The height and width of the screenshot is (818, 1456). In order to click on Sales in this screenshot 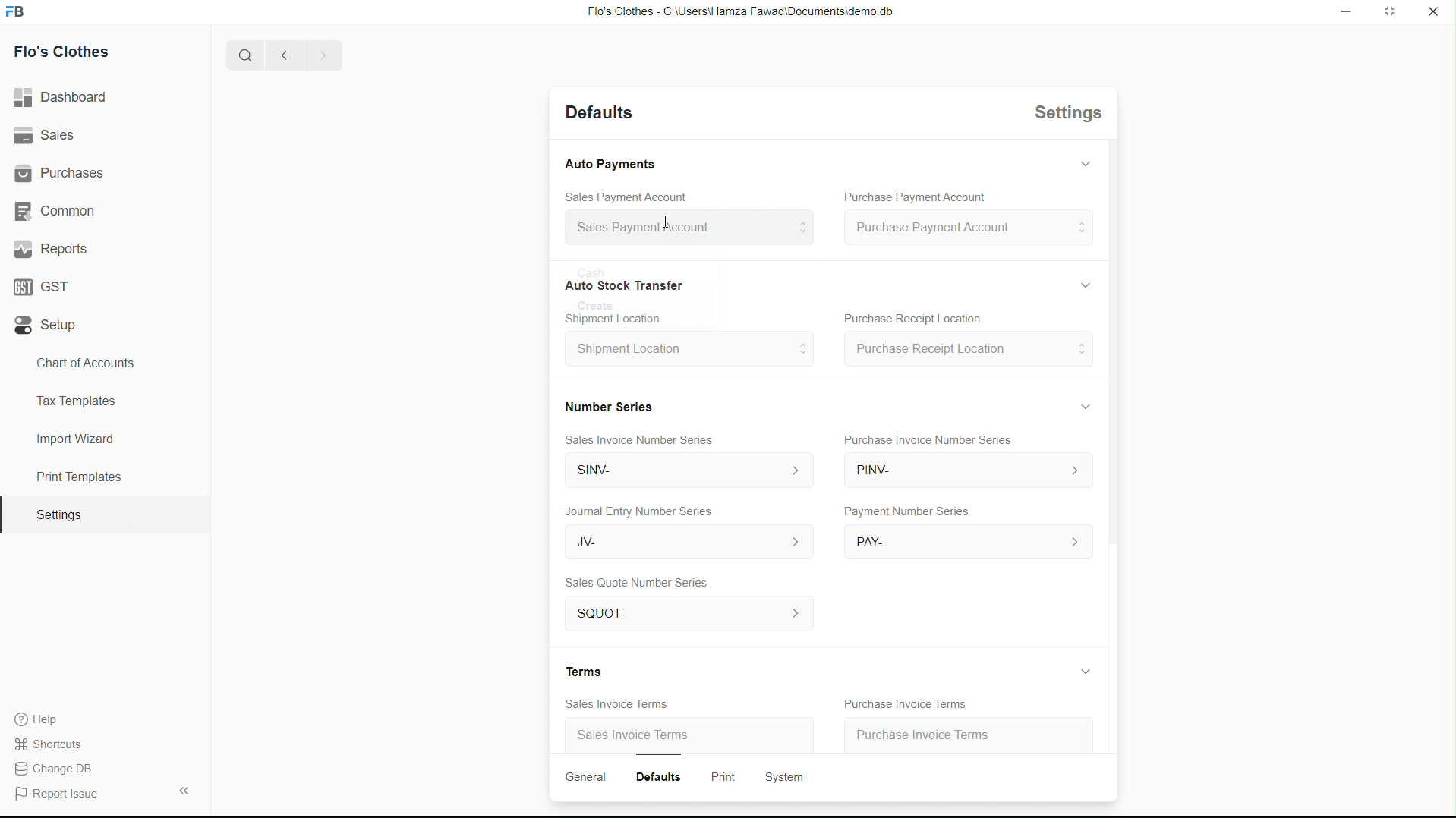, I will do `click(48, 136)`.